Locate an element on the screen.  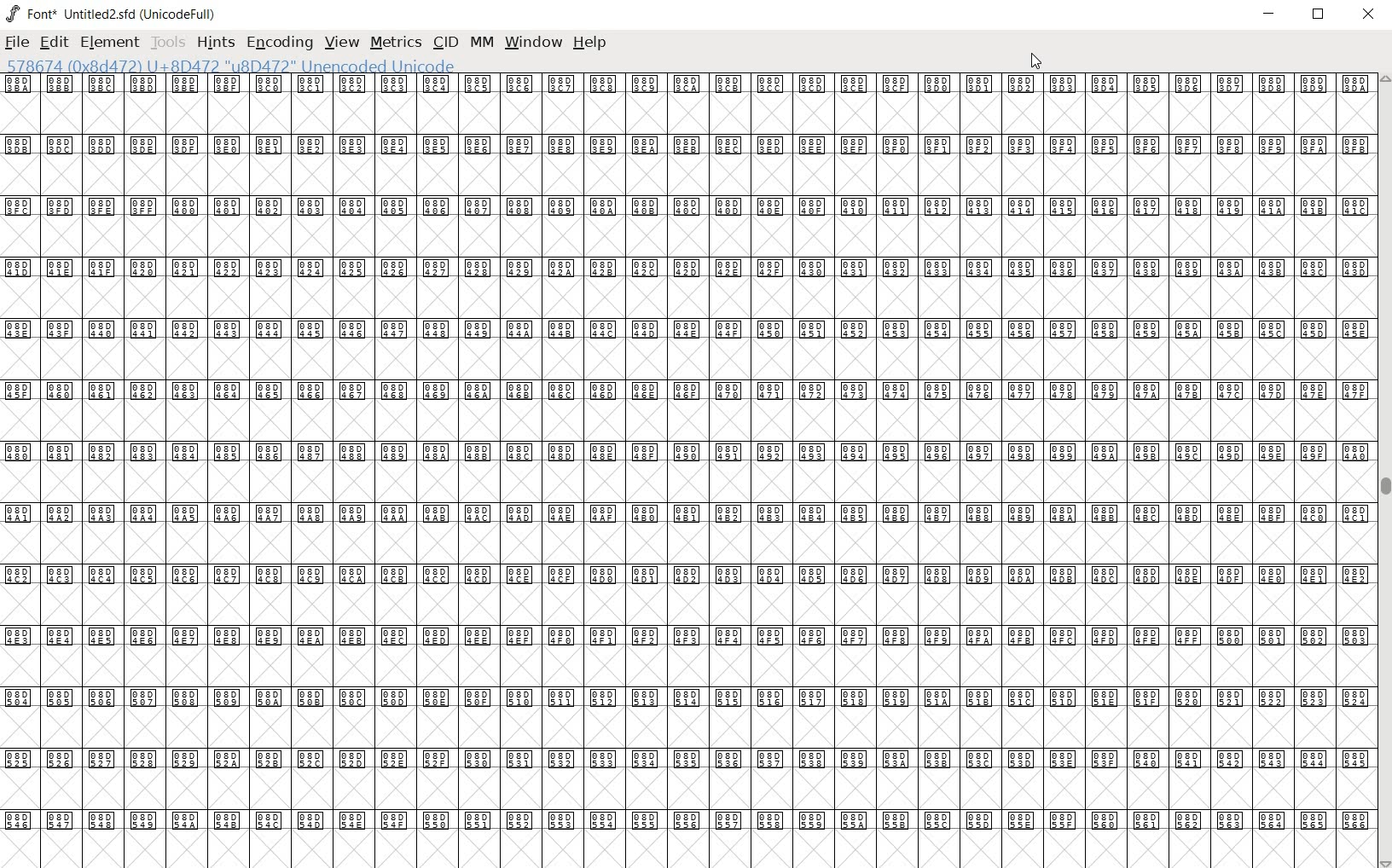
help is located at coordinates (591, 42).